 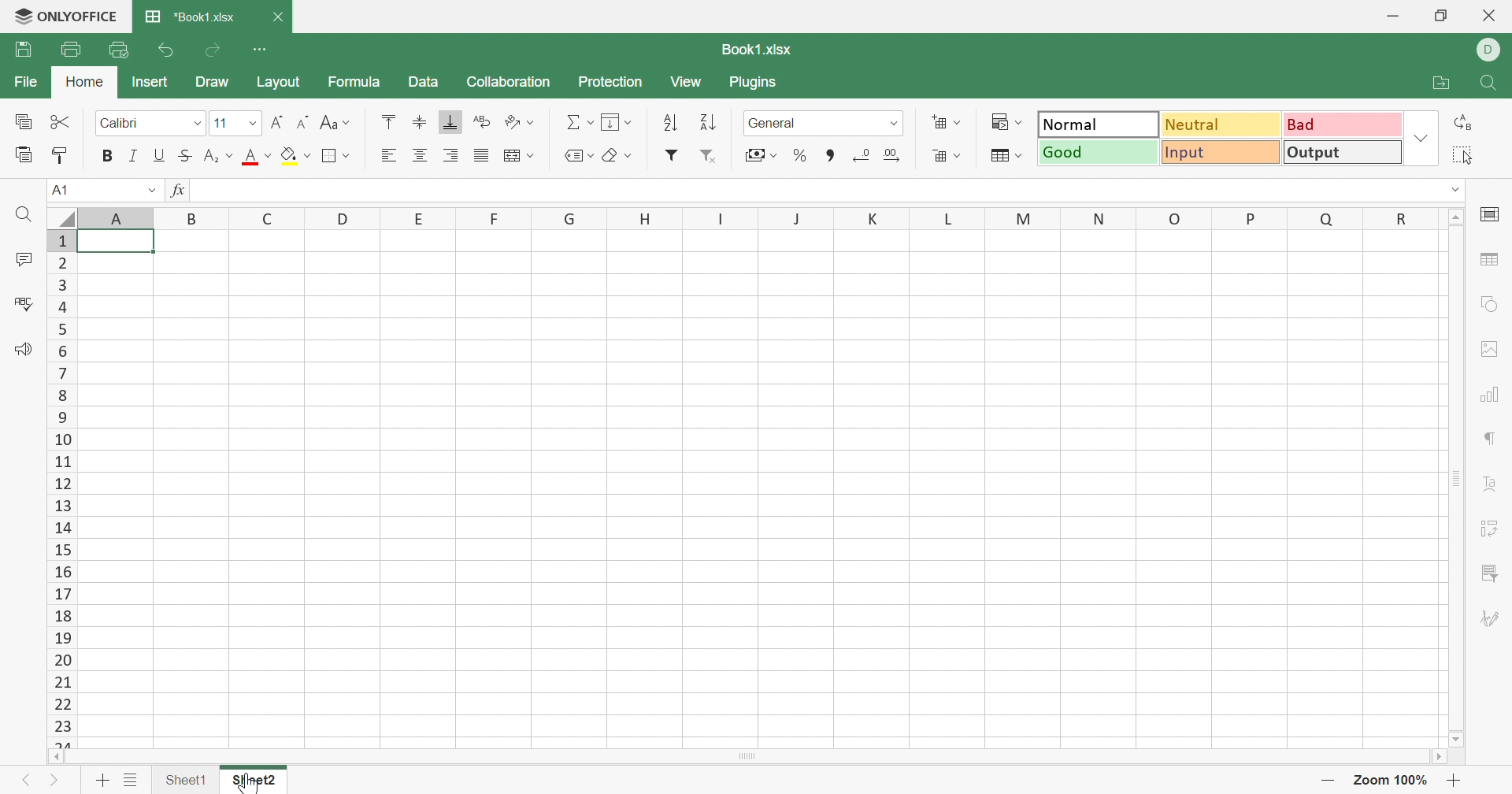 What do you see at coordinates (533, 155) in the screenshot?
I see `Drop Down` at bounding box center [533, 155].